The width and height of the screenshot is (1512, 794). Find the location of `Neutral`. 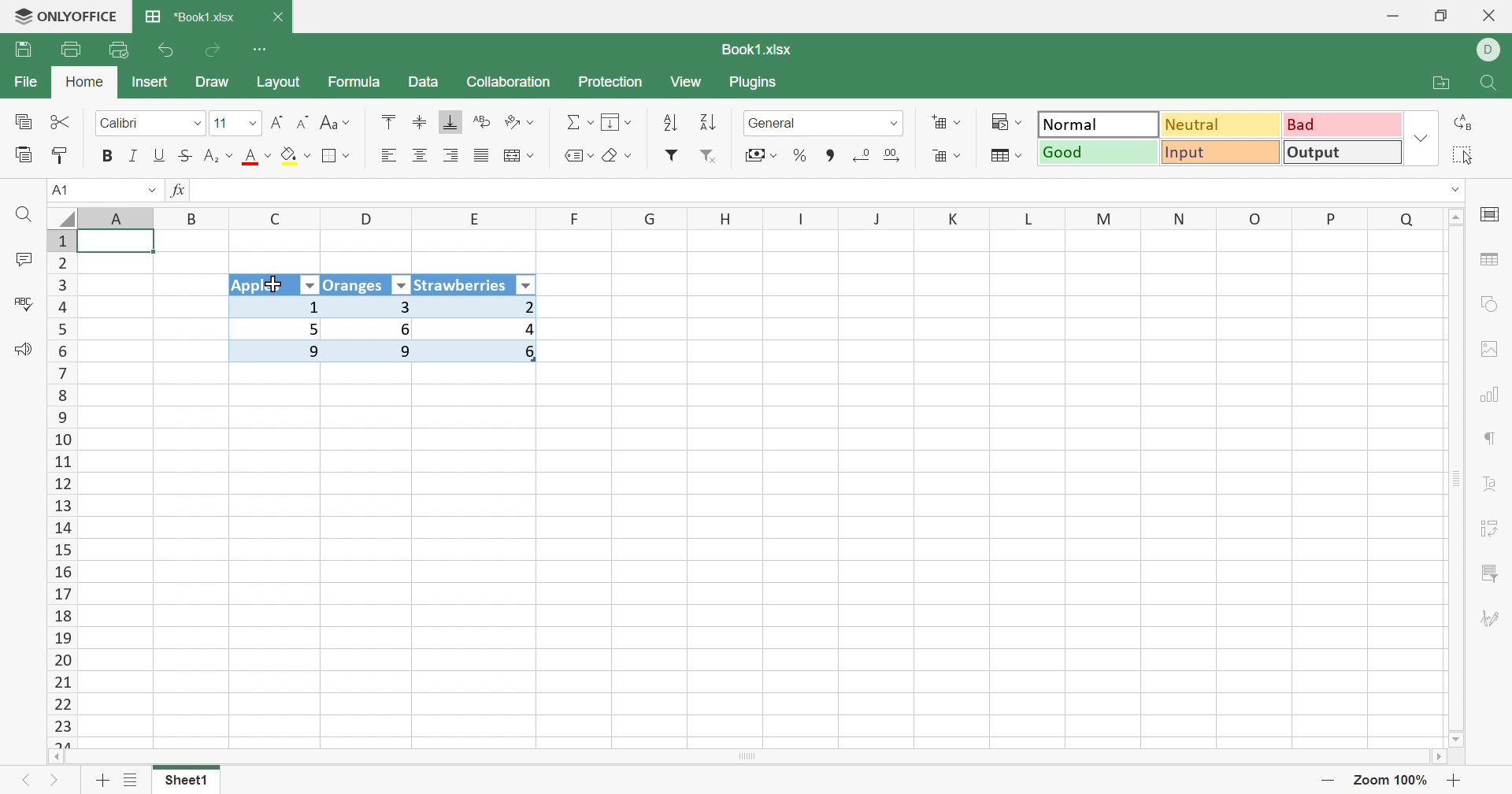

Neutral is located at coordinates (1222, 124).